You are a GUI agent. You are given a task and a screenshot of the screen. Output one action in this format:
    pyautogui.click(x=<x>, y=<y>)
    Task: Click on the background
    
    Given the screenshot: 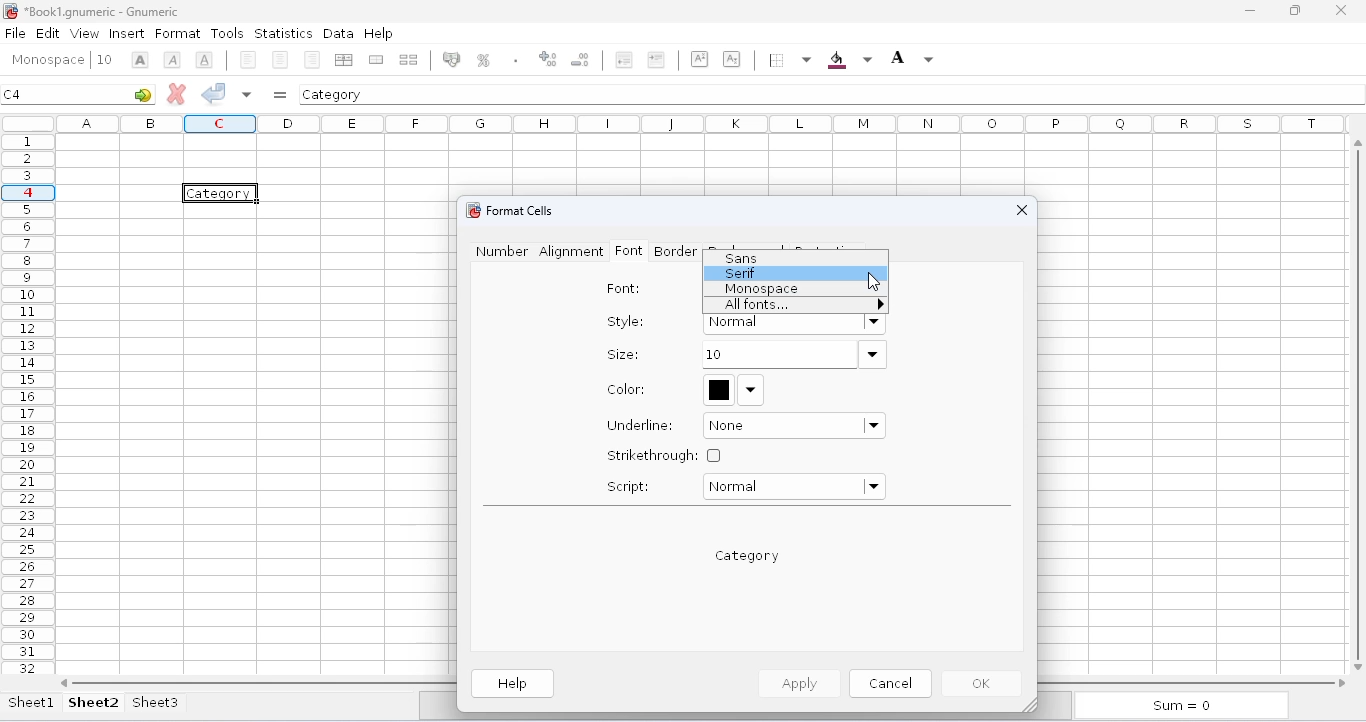 What is the action you would take?
    pyautogui.click(x=849, y=60)
    